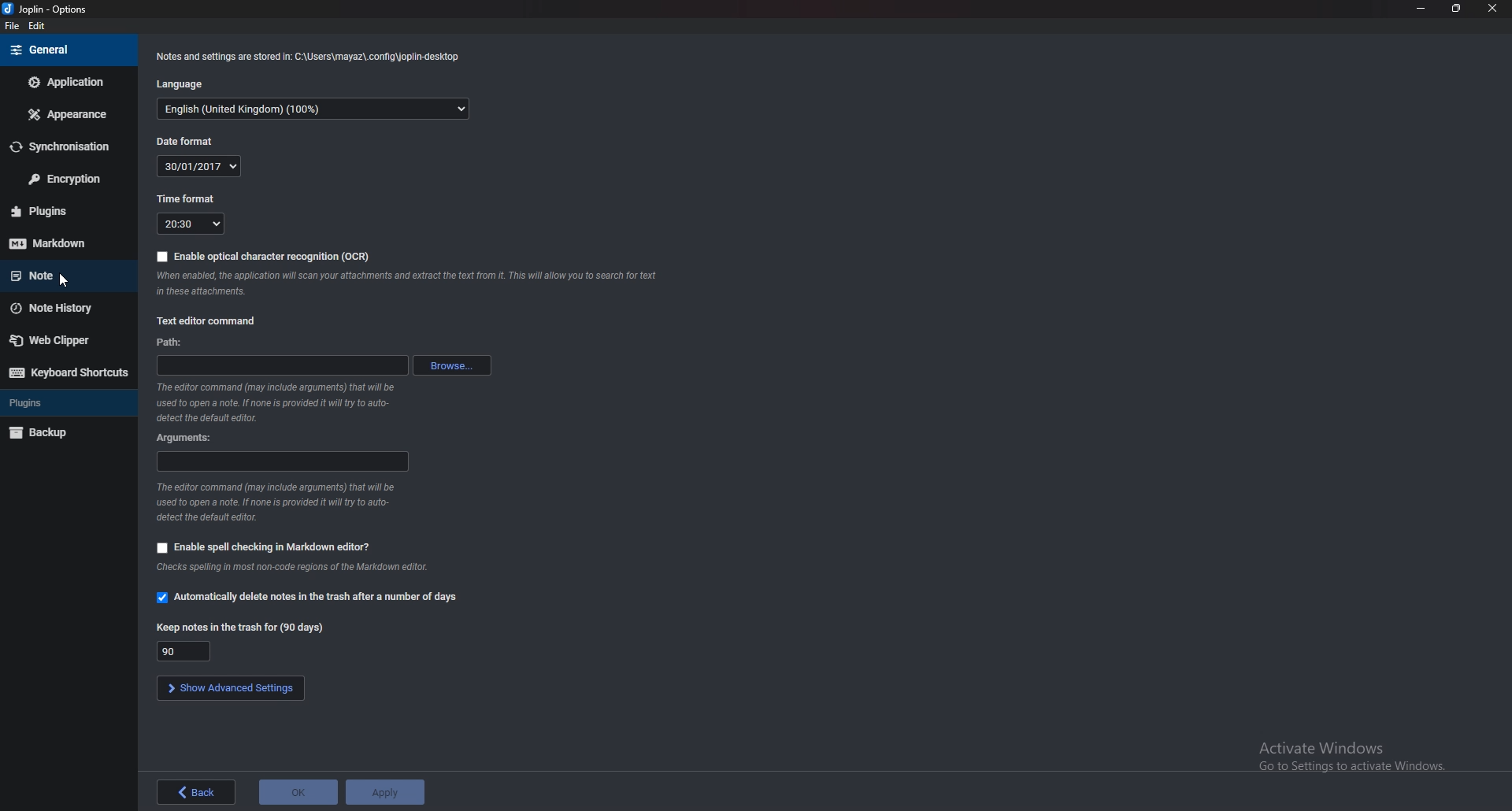  What do you see at coordinates (1351, 757) in the screenshot?
I see `activate windows pop up` at bounding box center [1351, 757].